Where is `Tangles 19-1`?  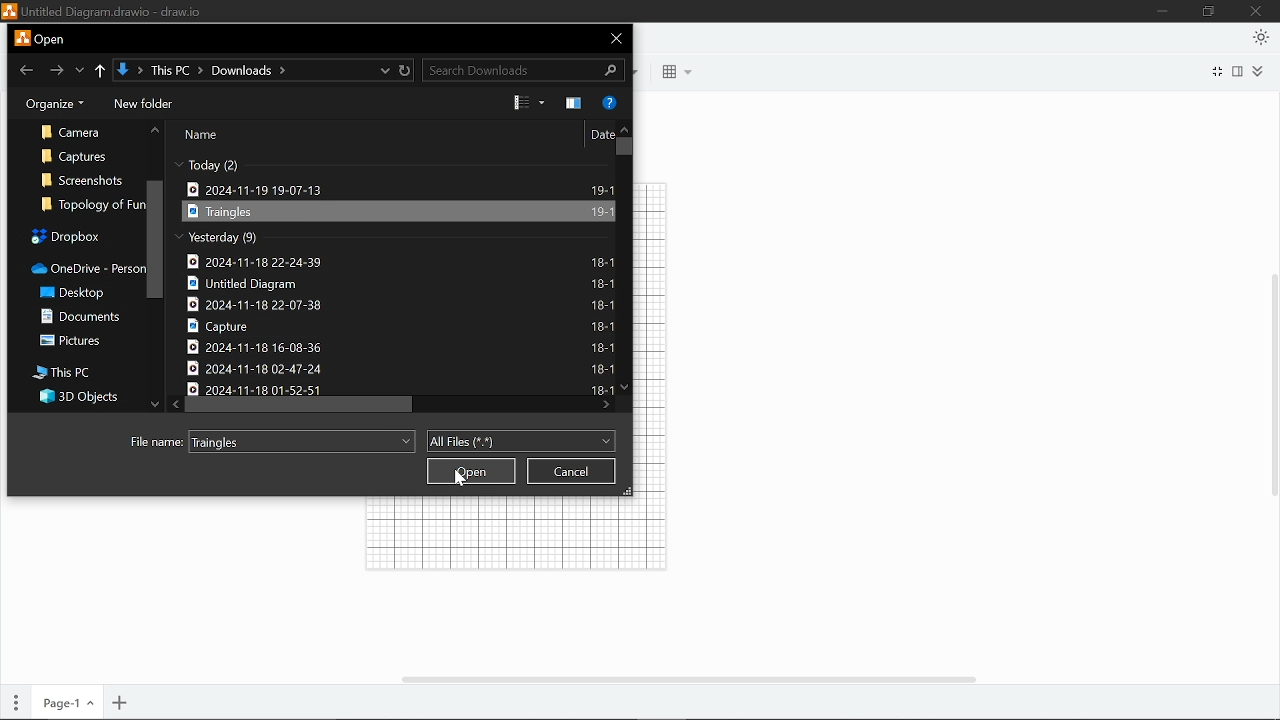
Tangles 19-1 is located at coordinates (397, 212).